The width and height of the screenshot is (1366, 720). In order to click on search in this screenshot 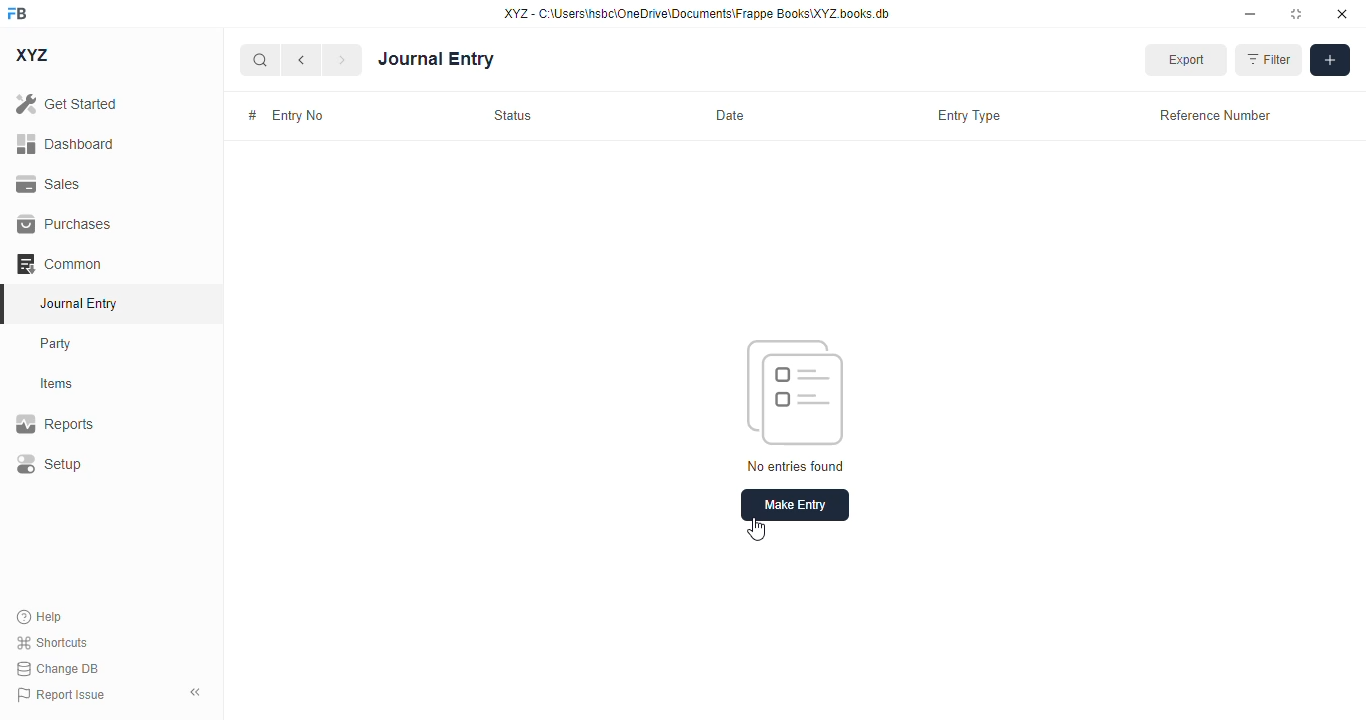, I will do `click(259, 60)`.